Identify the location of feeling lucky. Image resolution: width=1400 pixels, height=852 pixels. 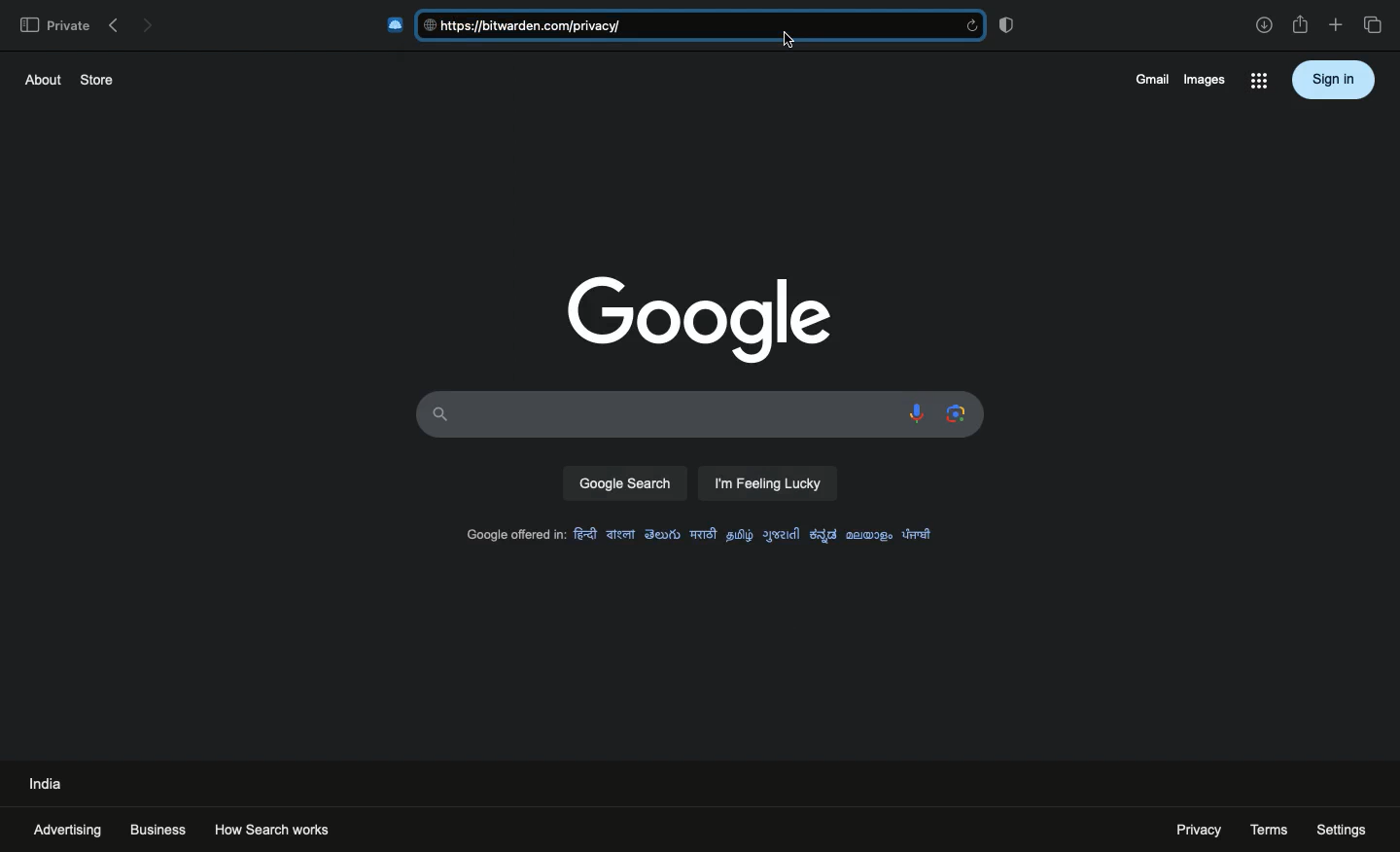
(769, 484).